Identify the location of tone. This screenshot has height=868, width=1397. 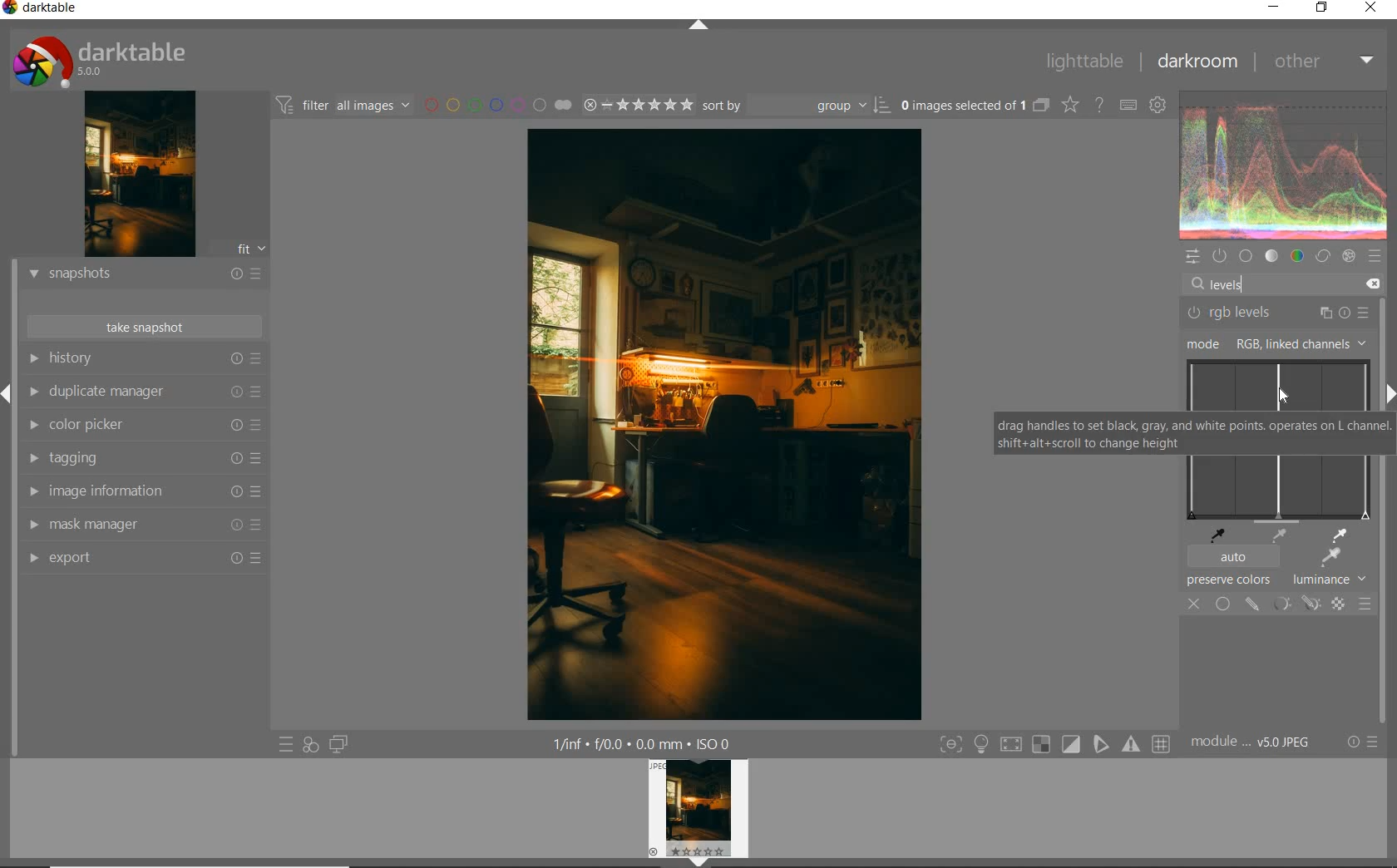
(1272, 255).